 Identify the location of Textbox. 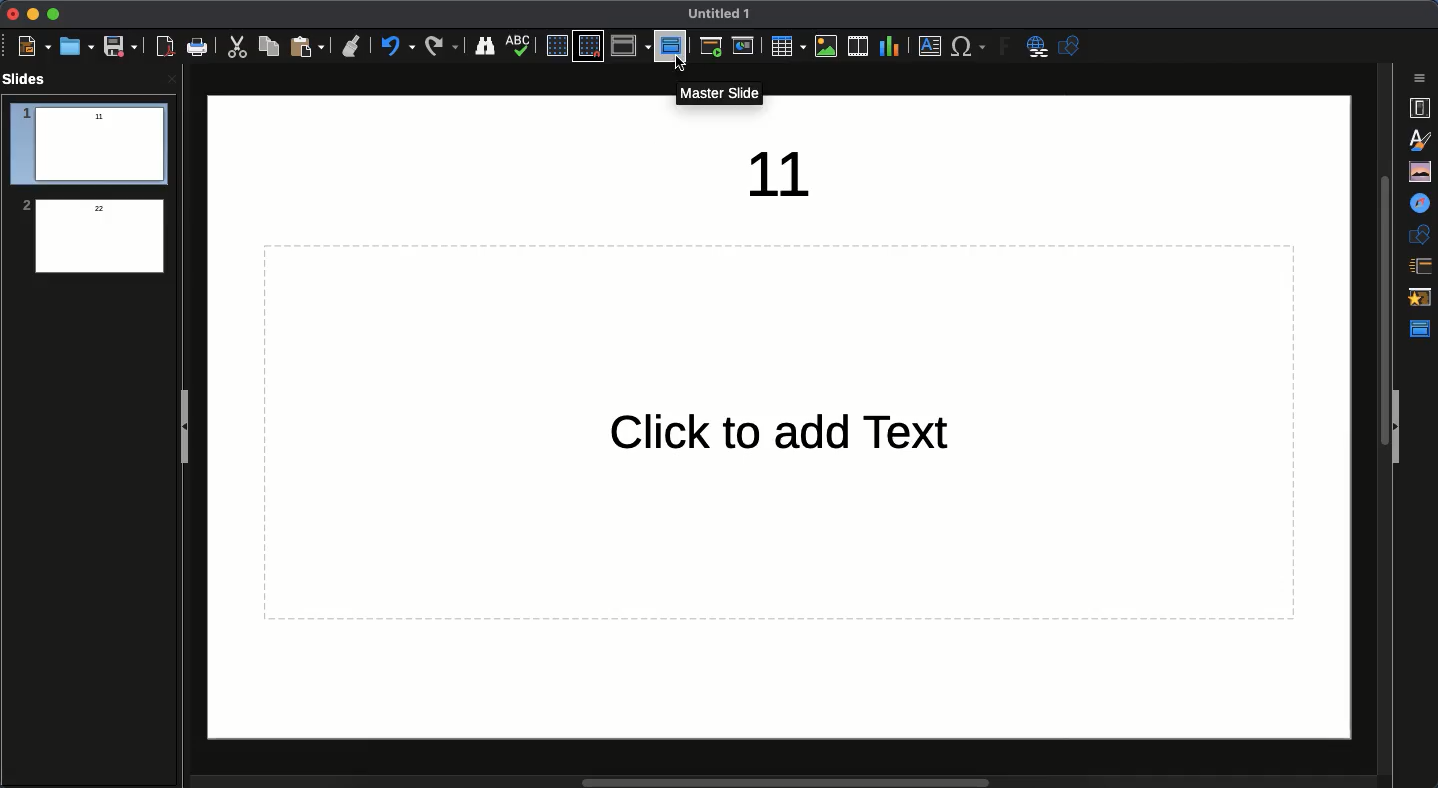
(927, 47).